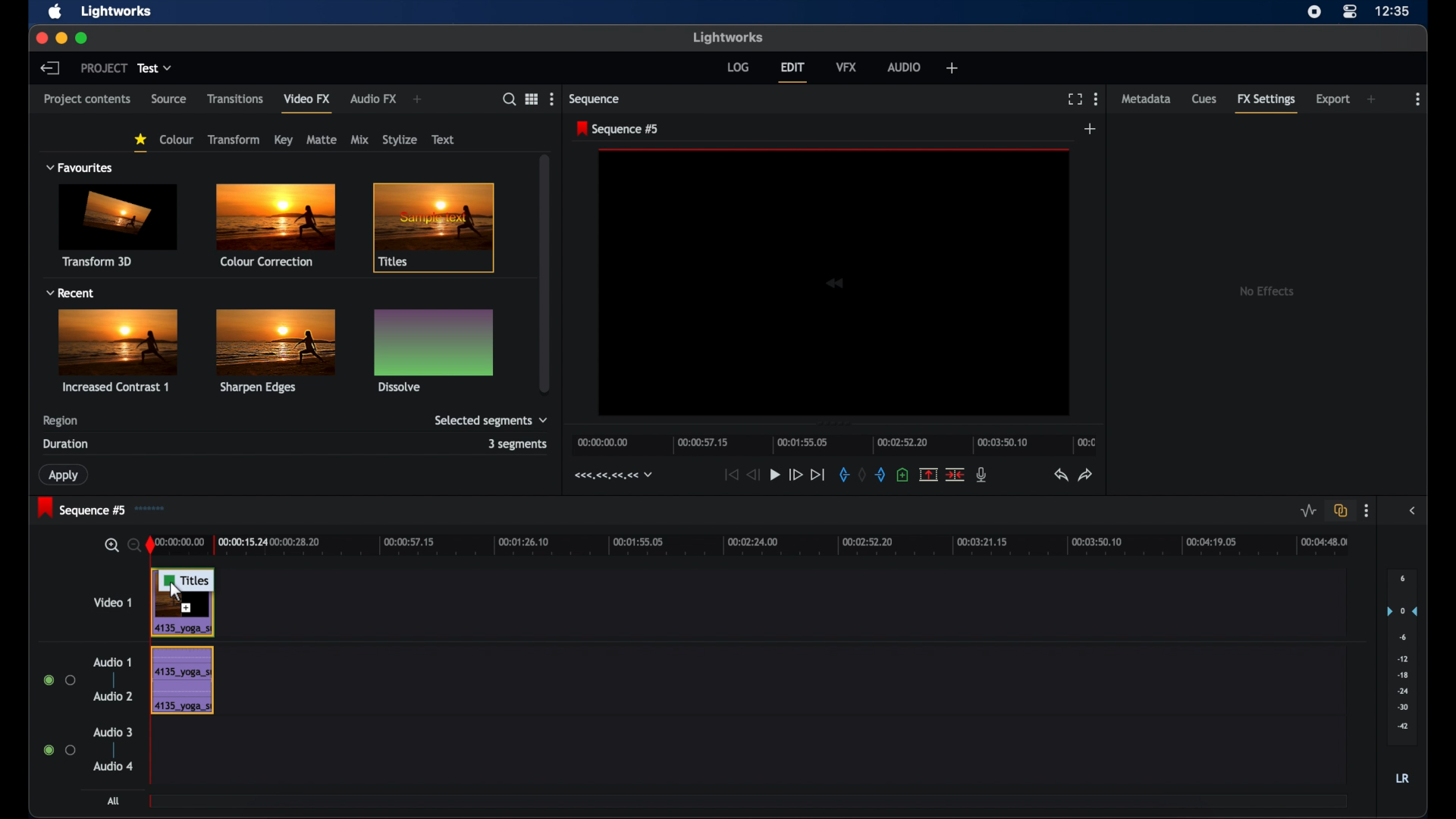 Image resolution: width=1456 pixels, height=819 pixels. I want to click on sequence 5, so click(618, 129).